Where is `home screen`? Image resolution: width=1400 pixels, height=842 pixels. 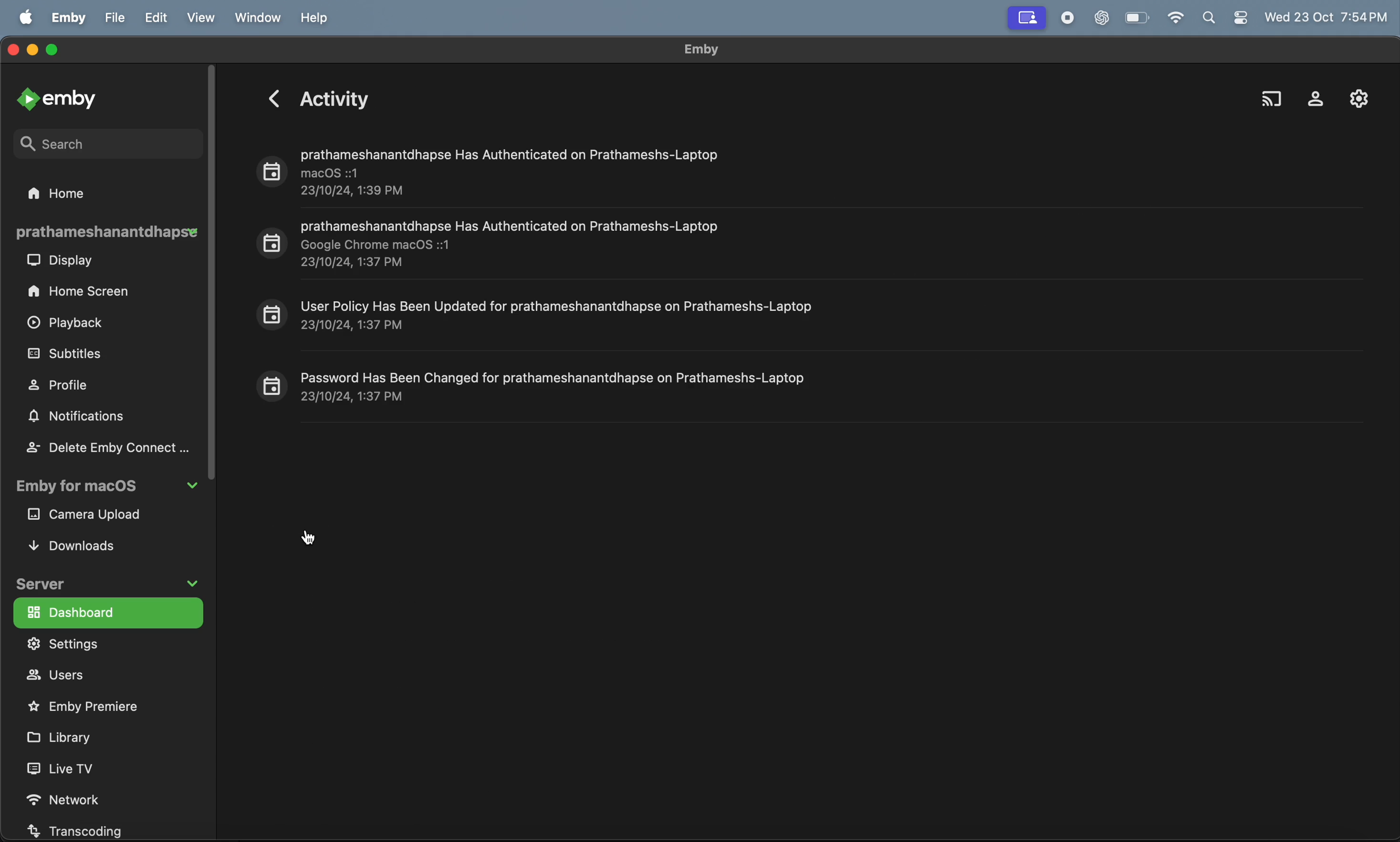
home screen is located at coordinates (84, 292).